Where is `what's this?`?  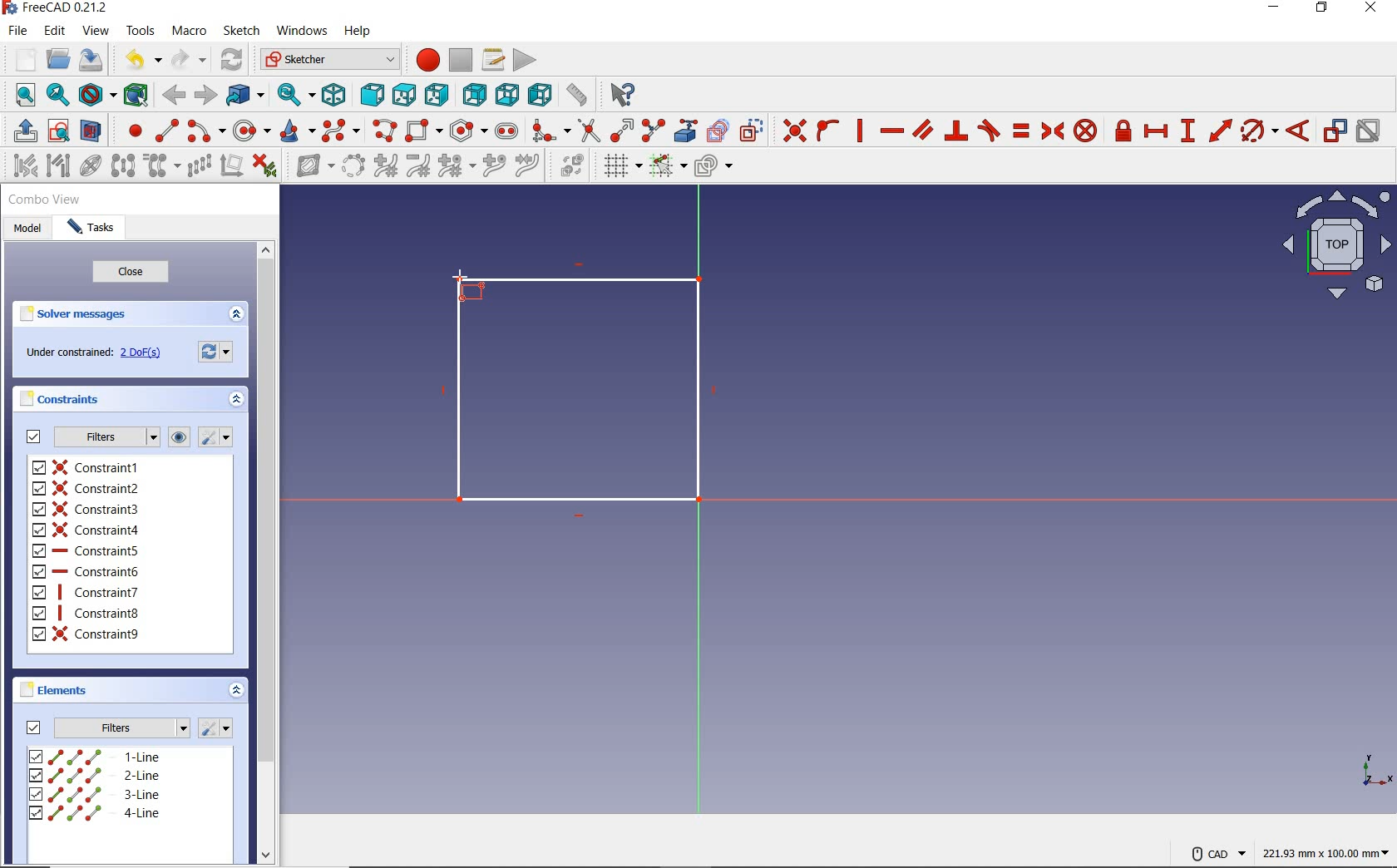
what's this? is located at coordinates (618, 96).